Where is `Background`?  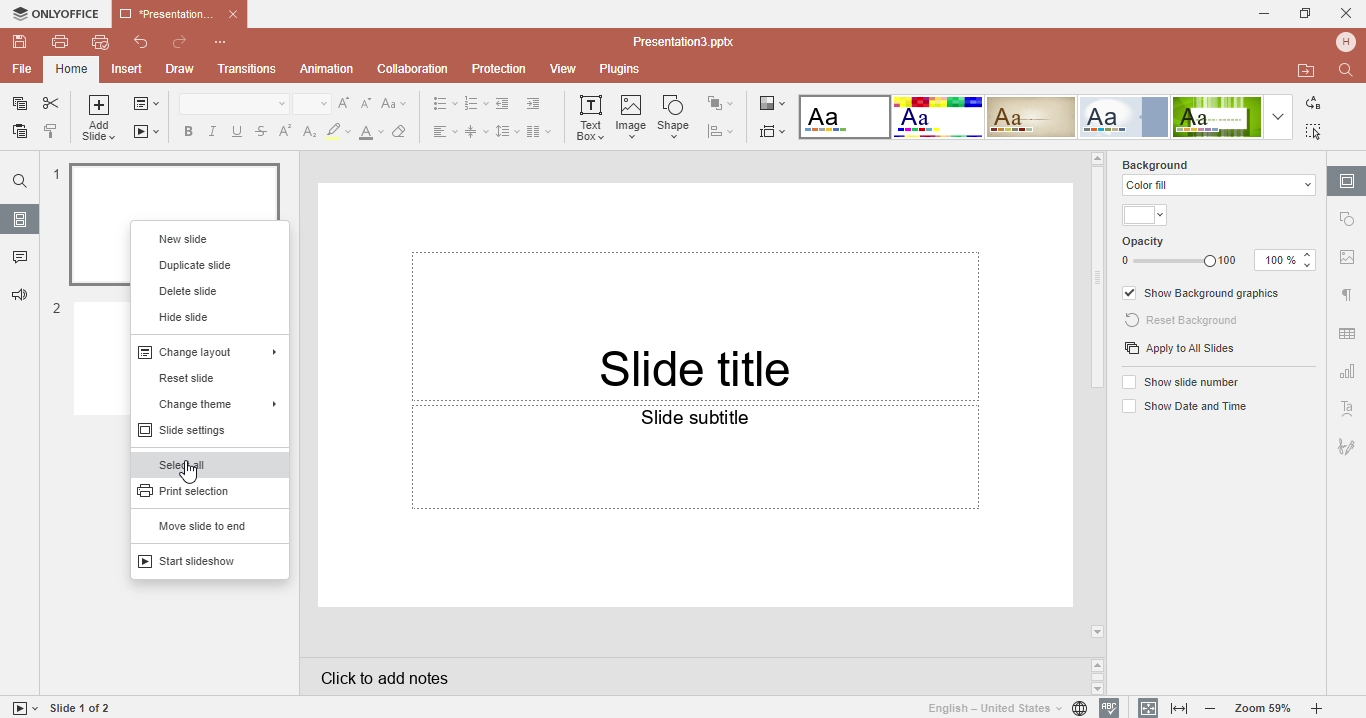
Background is located at coordinates (1172, 163).